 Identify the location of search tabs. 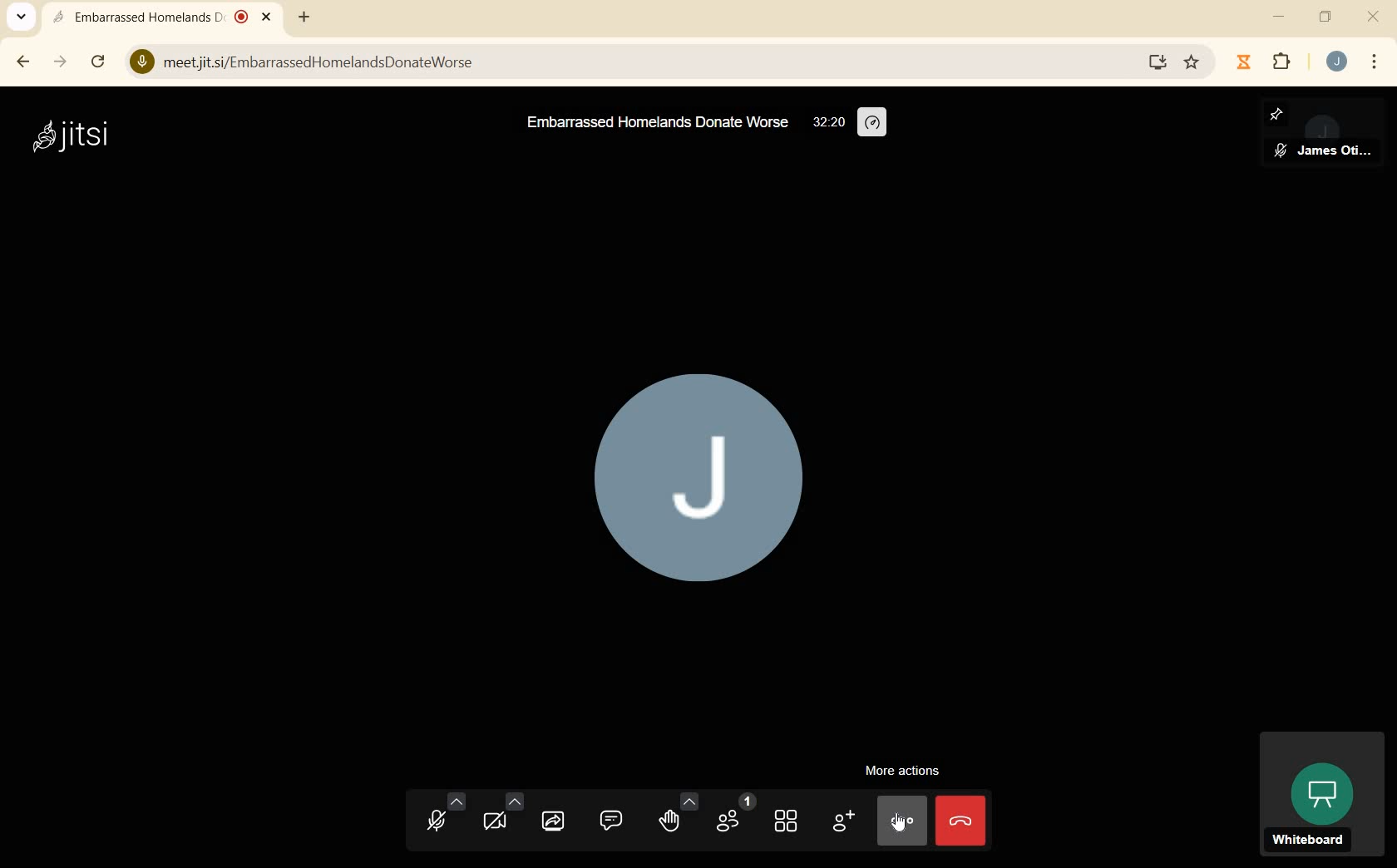
(21, 17).